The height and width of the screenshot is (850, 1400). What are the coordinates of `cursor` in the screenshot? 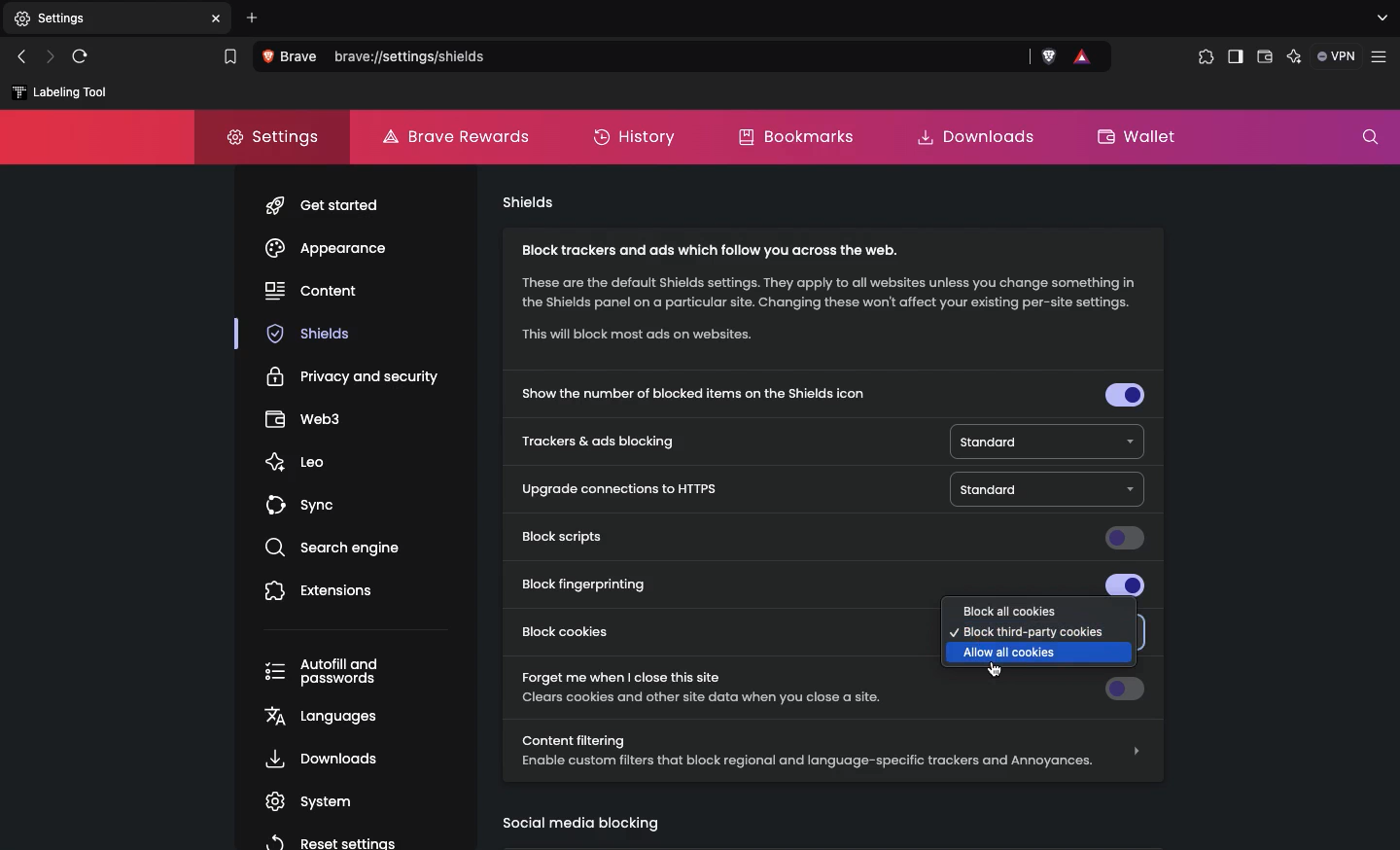 It's located at (998, 671).